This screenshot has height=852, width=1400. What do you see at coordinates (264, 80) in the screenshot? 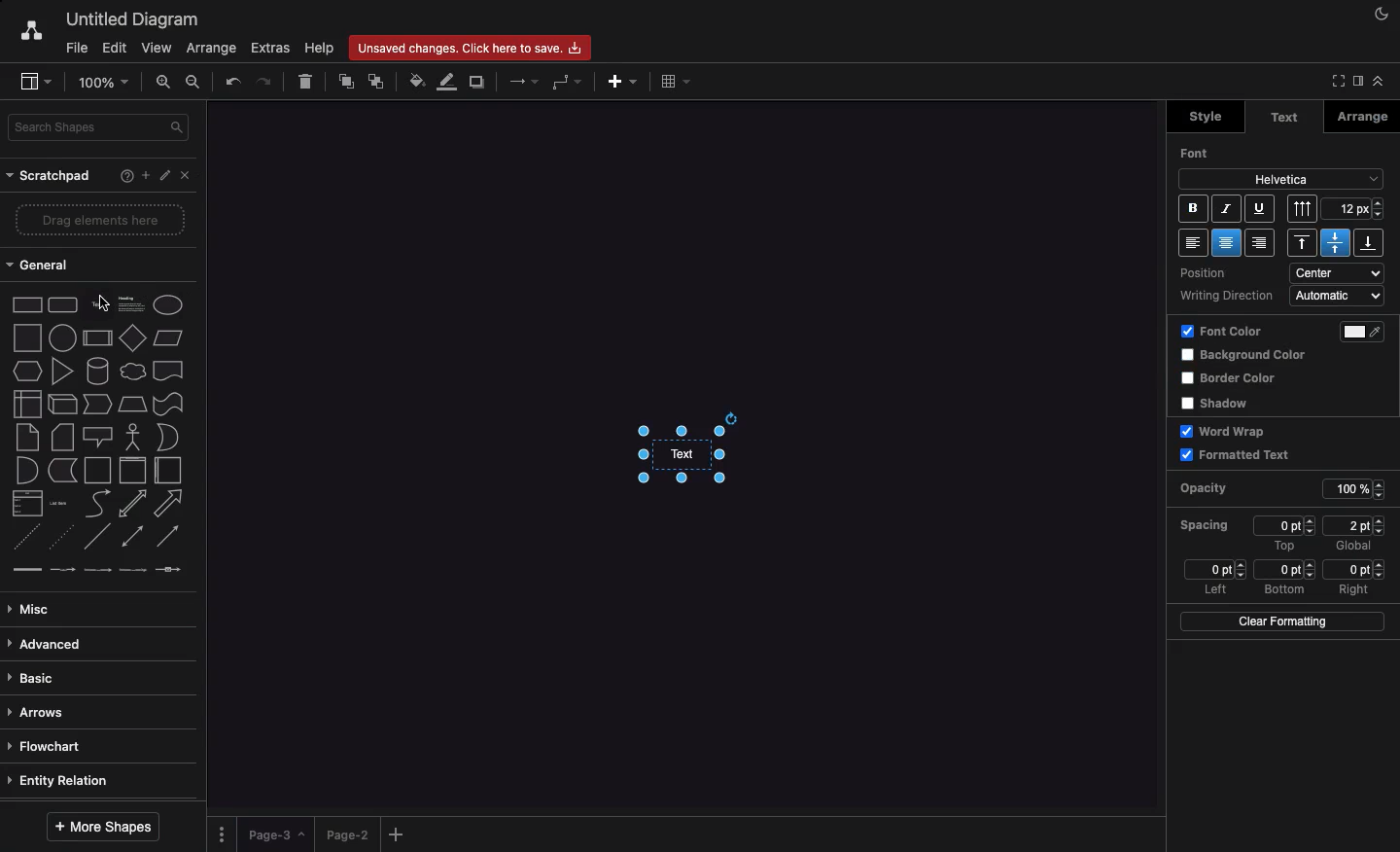
I see `Redo` at bounding box center [264, 80].